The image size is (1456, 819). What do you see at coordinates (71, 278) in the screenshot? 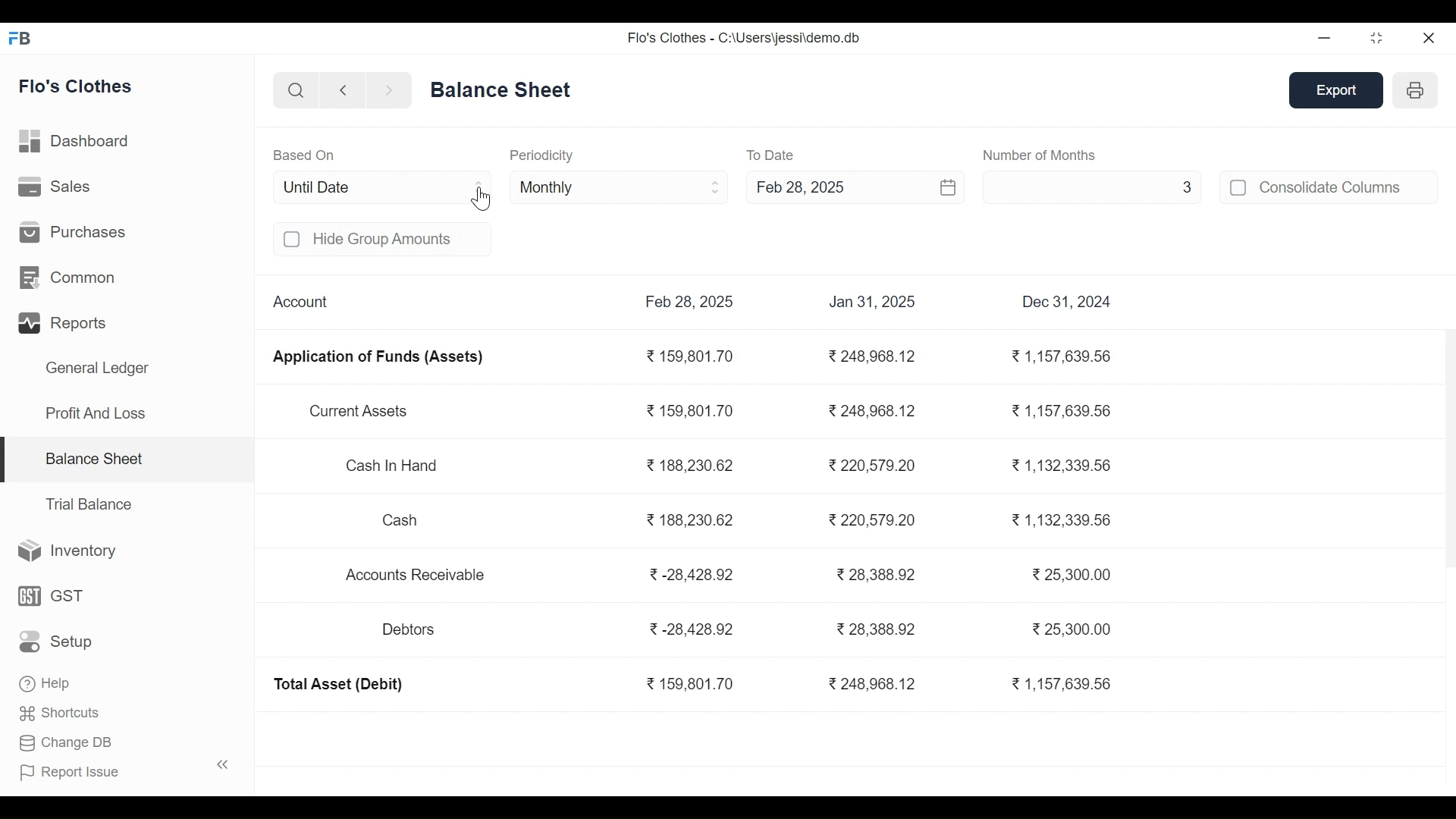
I see `common` at bounding box center [71, 278].